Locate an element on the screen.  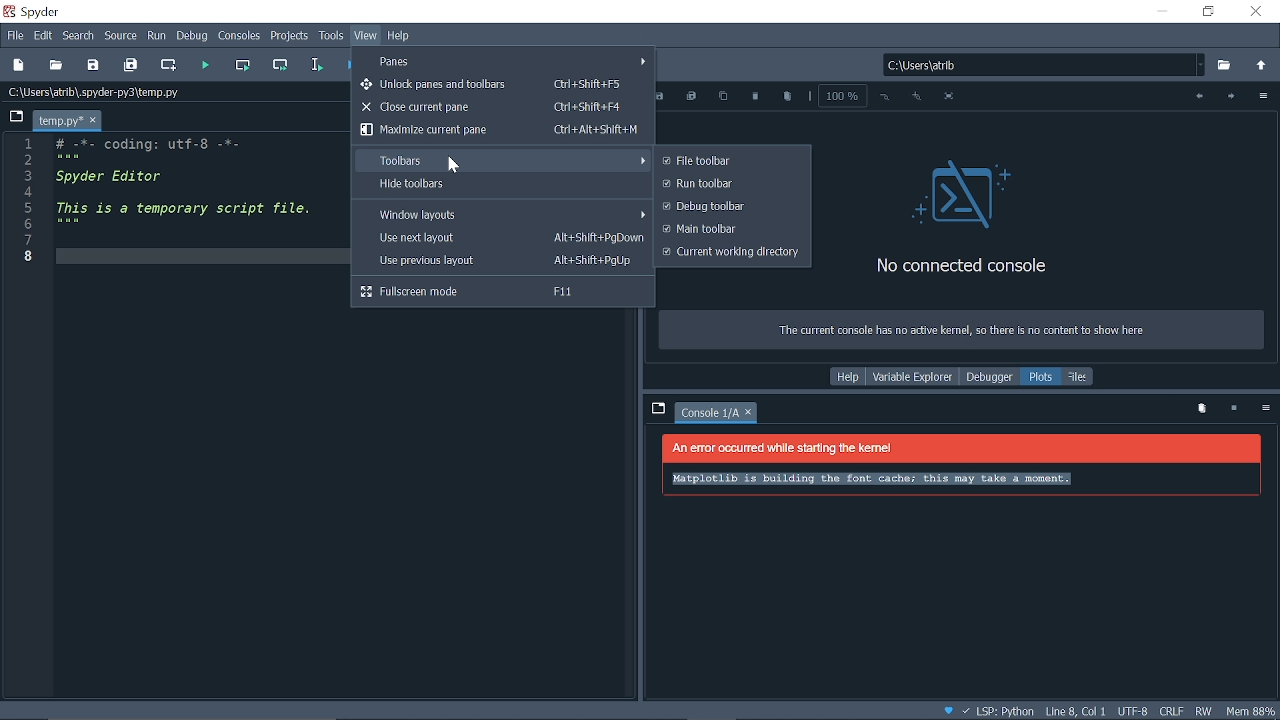
Consoles is located at coordinates (241, 37).